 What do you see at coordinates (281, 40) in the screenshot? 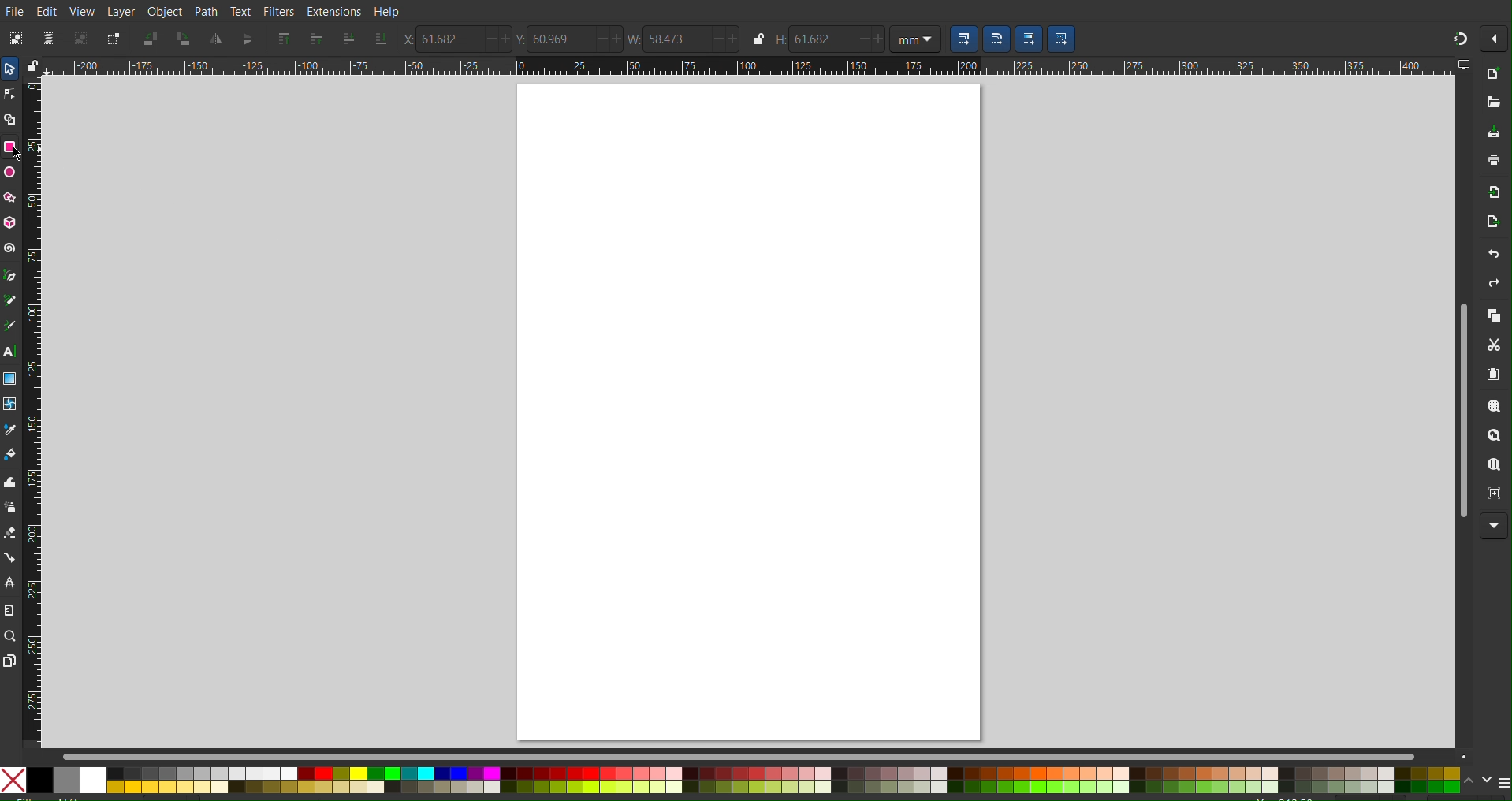
I see `Send to top` at bounding box center [281, 40].